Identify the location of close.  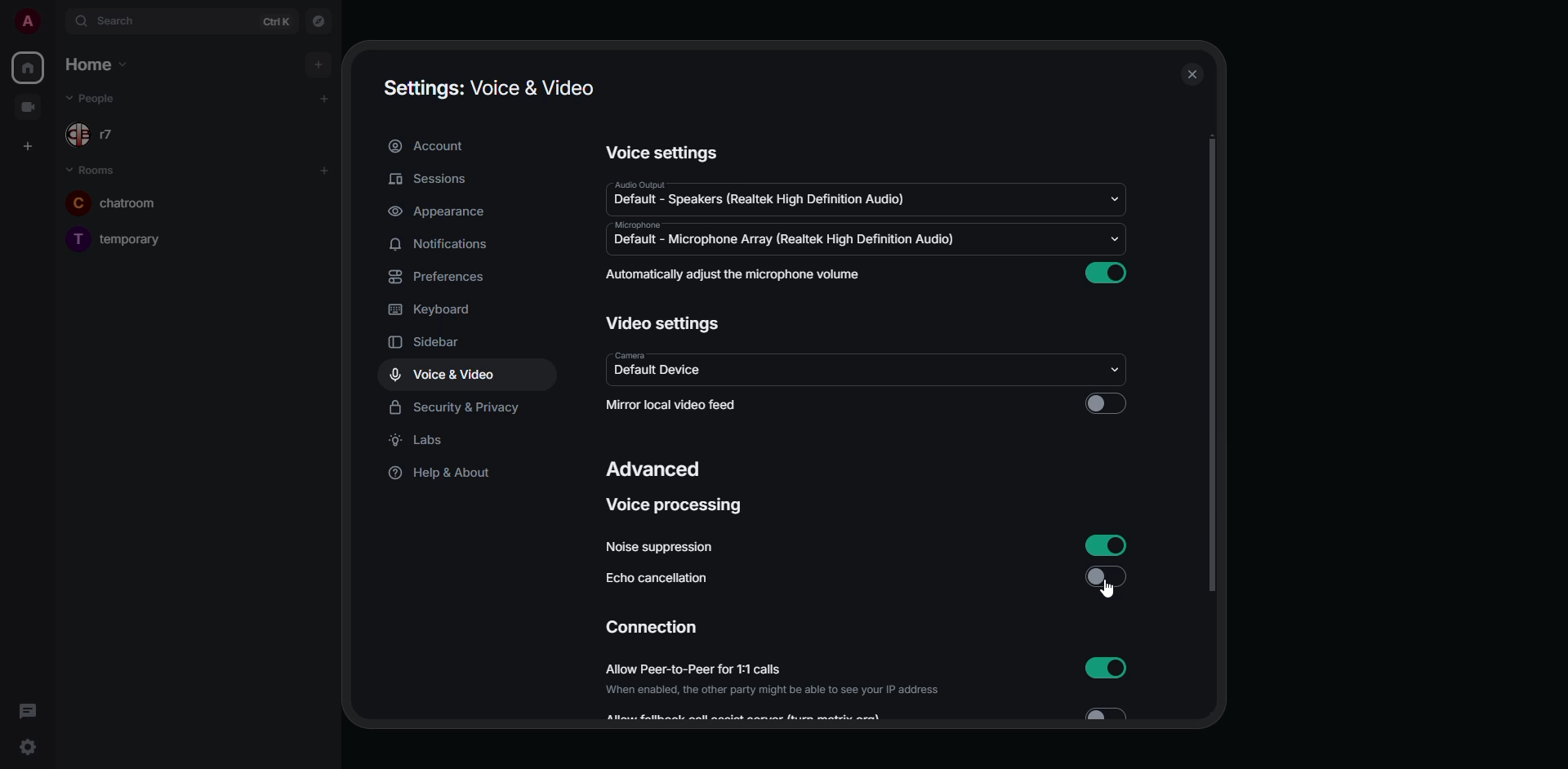
(1192, 75).